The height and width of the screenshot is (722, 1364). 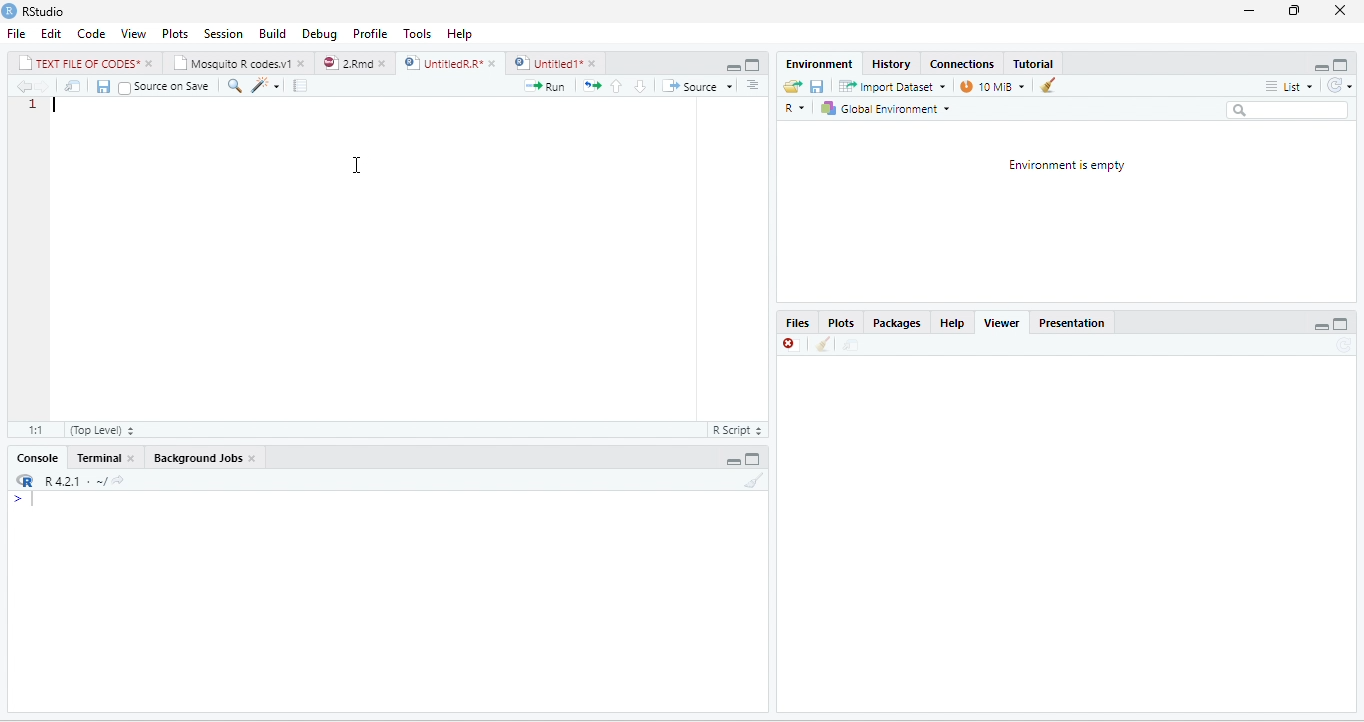 What do you see at coordinates (133, 458) in the screenshot?
I see `close` at bounding box center [133, 458].